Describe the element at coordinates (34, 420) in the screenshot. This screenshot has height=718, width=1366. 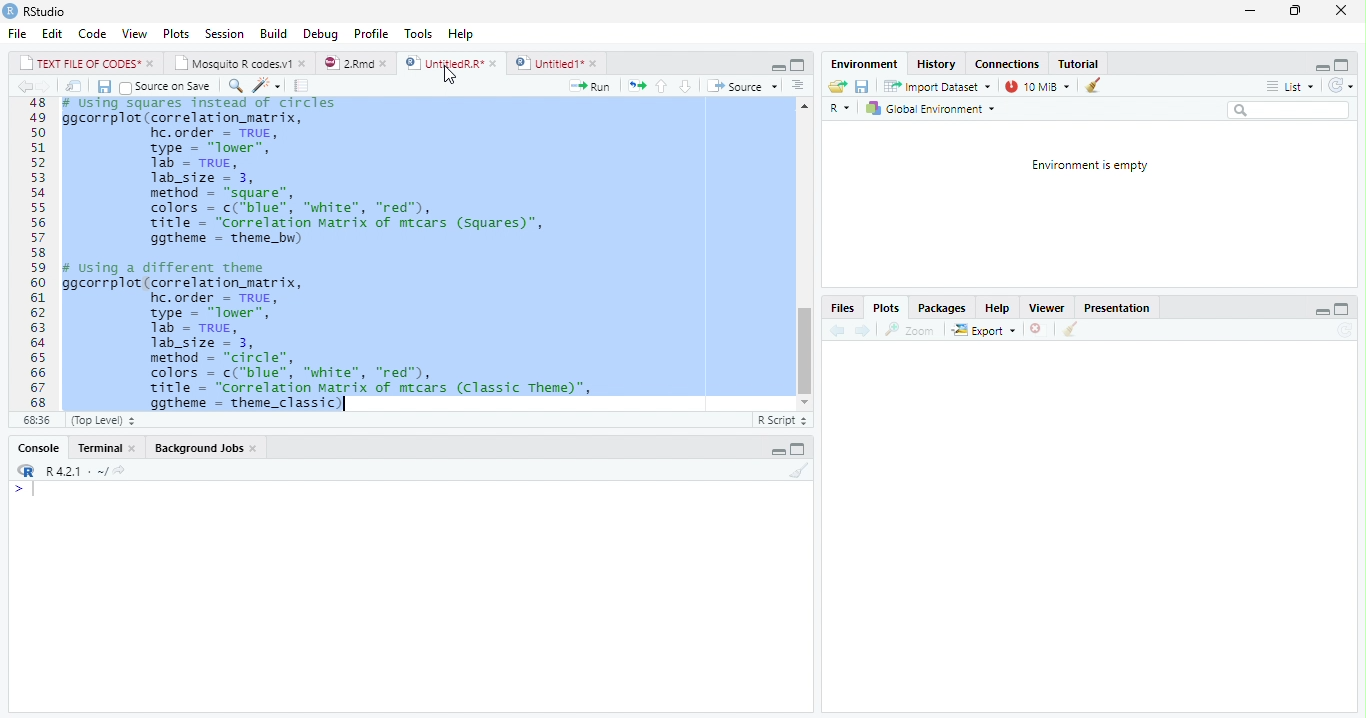
I see `68.36` at that location.